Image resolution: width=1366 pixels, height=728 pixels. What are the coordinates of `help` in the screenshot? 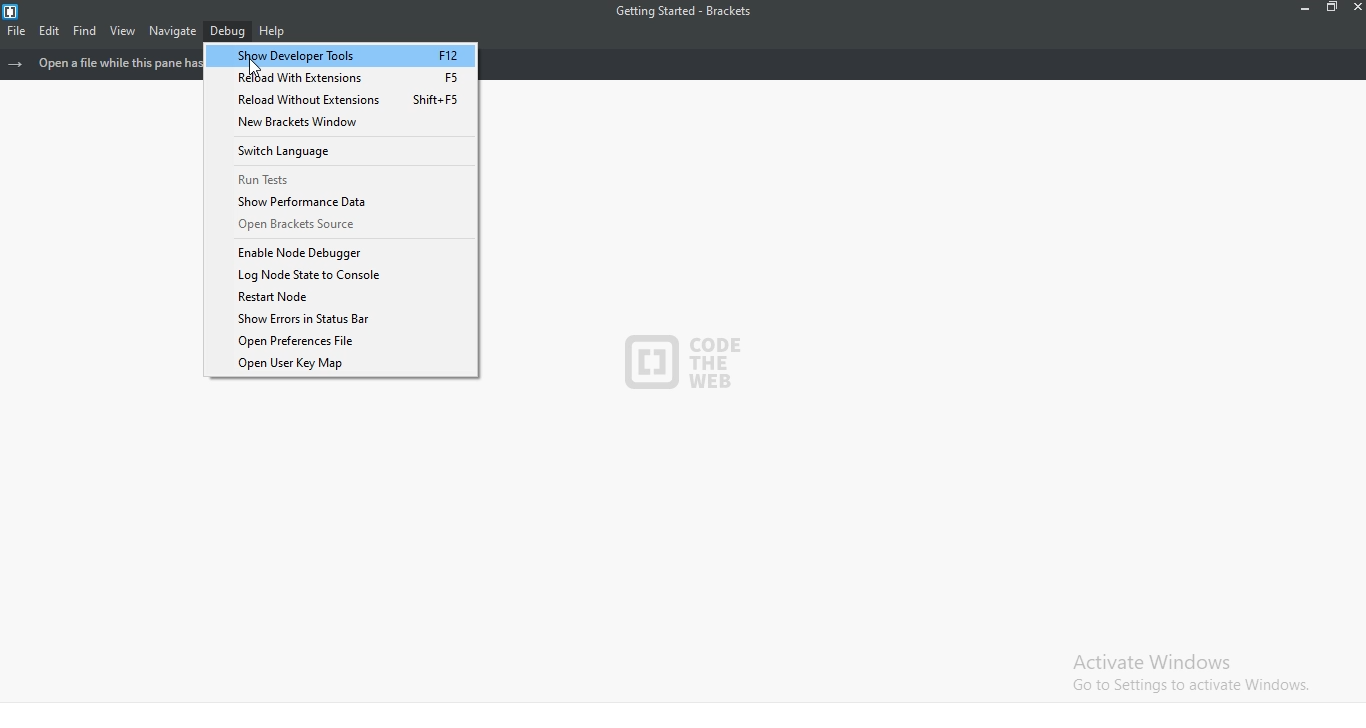 It's located at (273, 30).